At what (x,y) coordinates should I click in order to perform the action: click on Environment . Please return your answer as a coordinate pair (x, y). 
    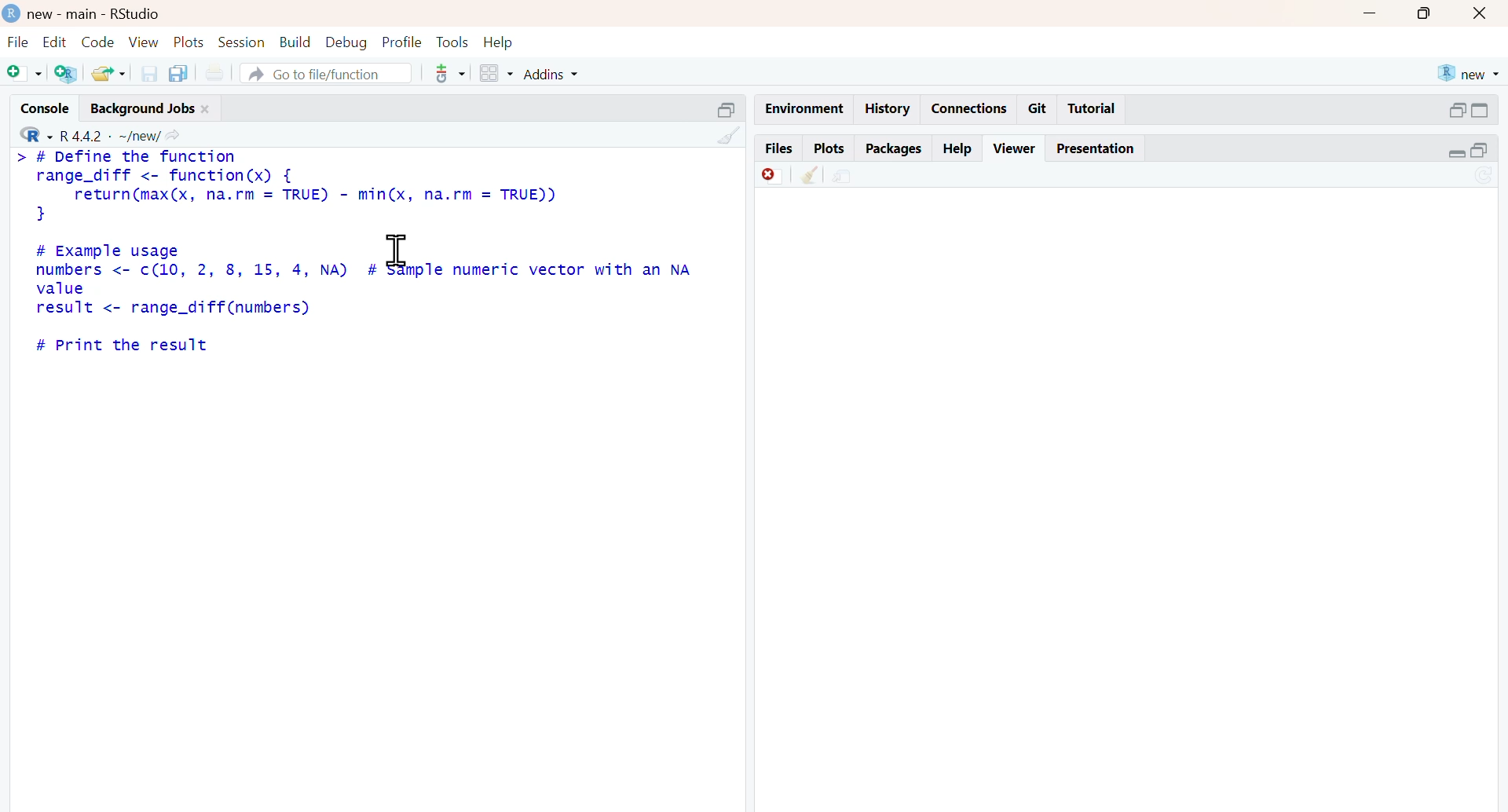
    Looking at the image, I should click on (804, 110).